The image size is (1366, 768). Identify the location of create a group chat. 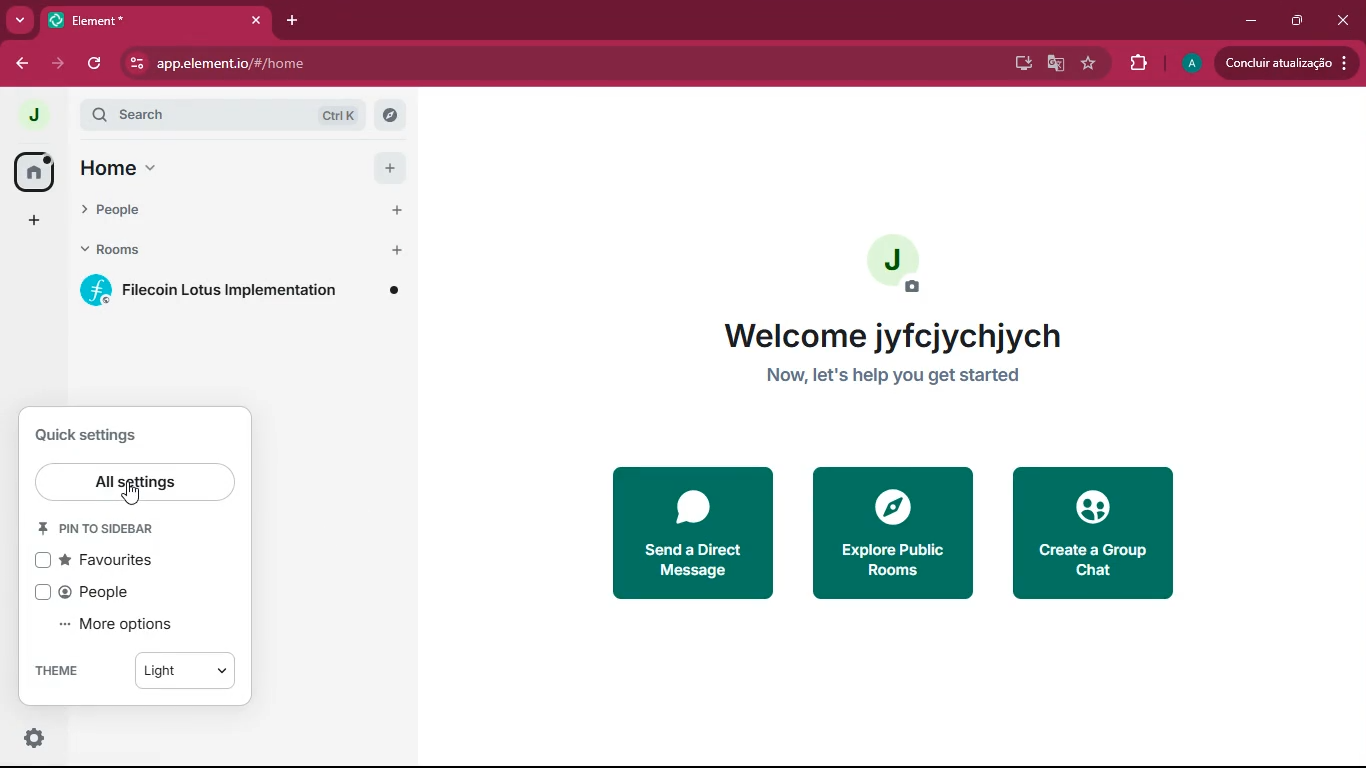
(1103, 529).